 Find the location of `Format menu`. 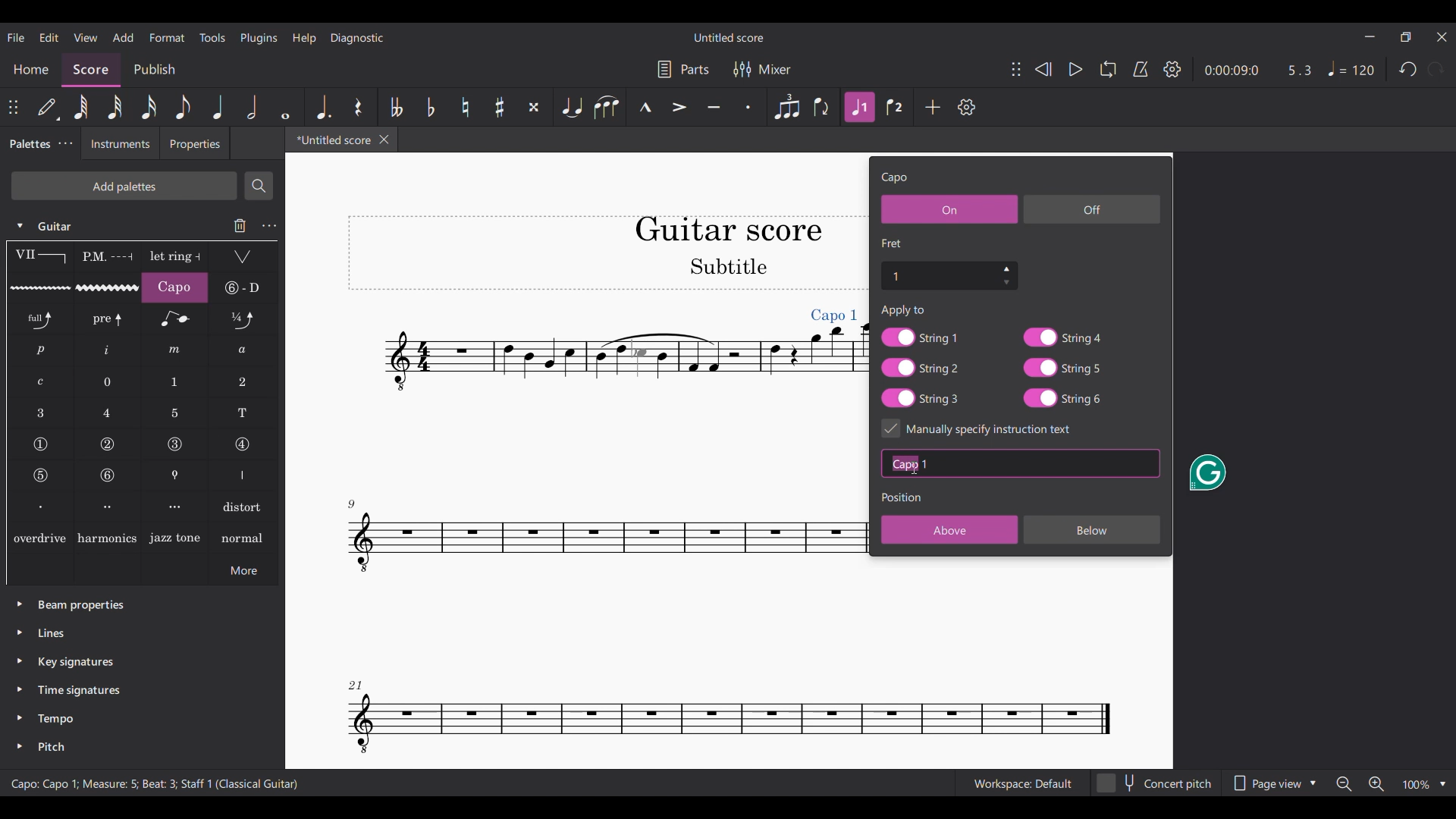

Format menu is located at coordinates (167, 37).